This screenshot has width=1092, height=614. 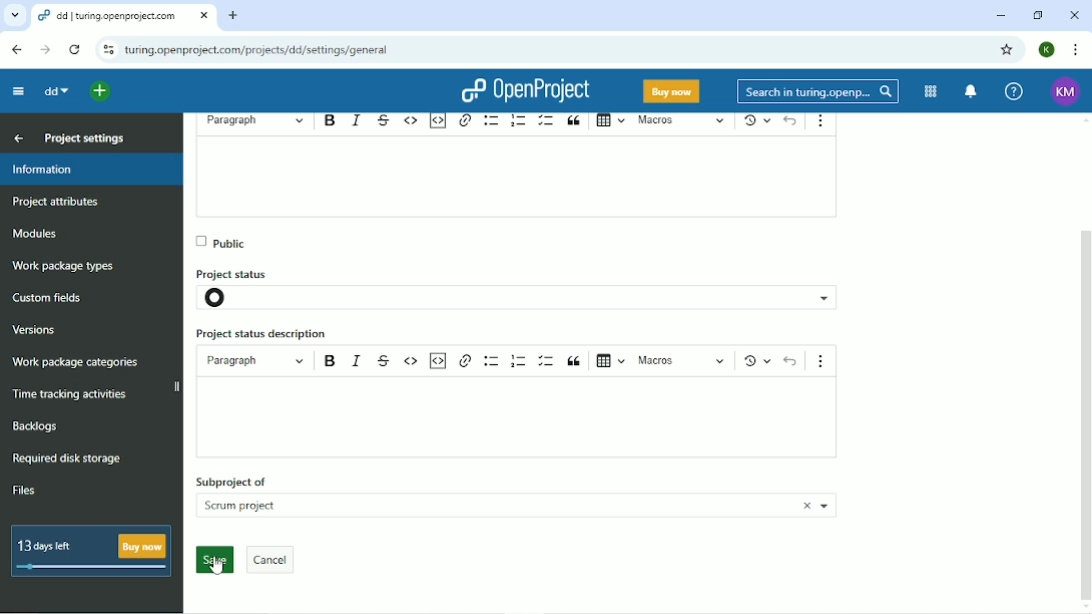 I want to click on Project status description, so click(x=259, y=333).